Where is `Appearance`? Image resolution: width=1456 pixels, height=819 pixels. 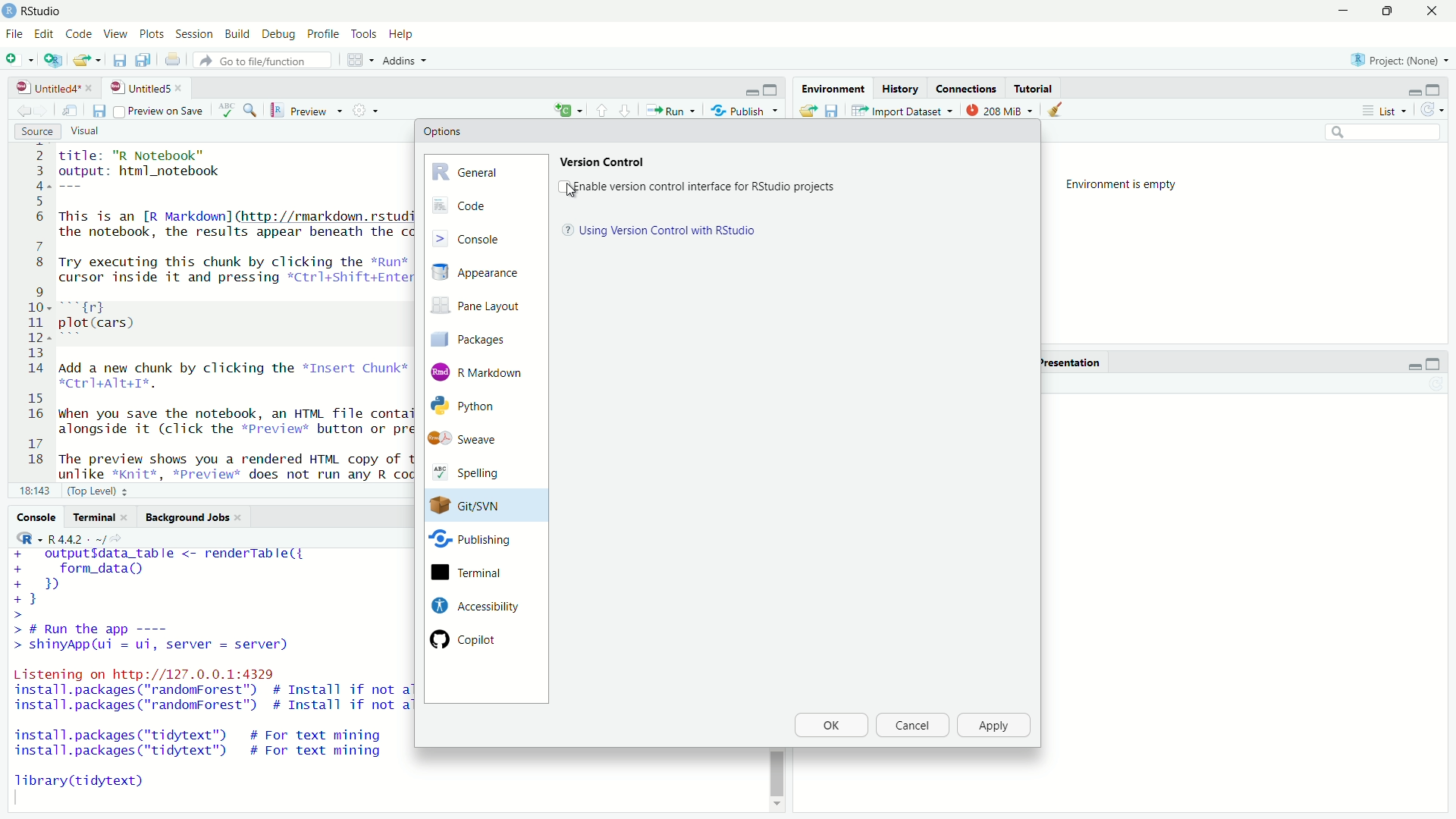 Appearance is located at coordinates (484, 273).